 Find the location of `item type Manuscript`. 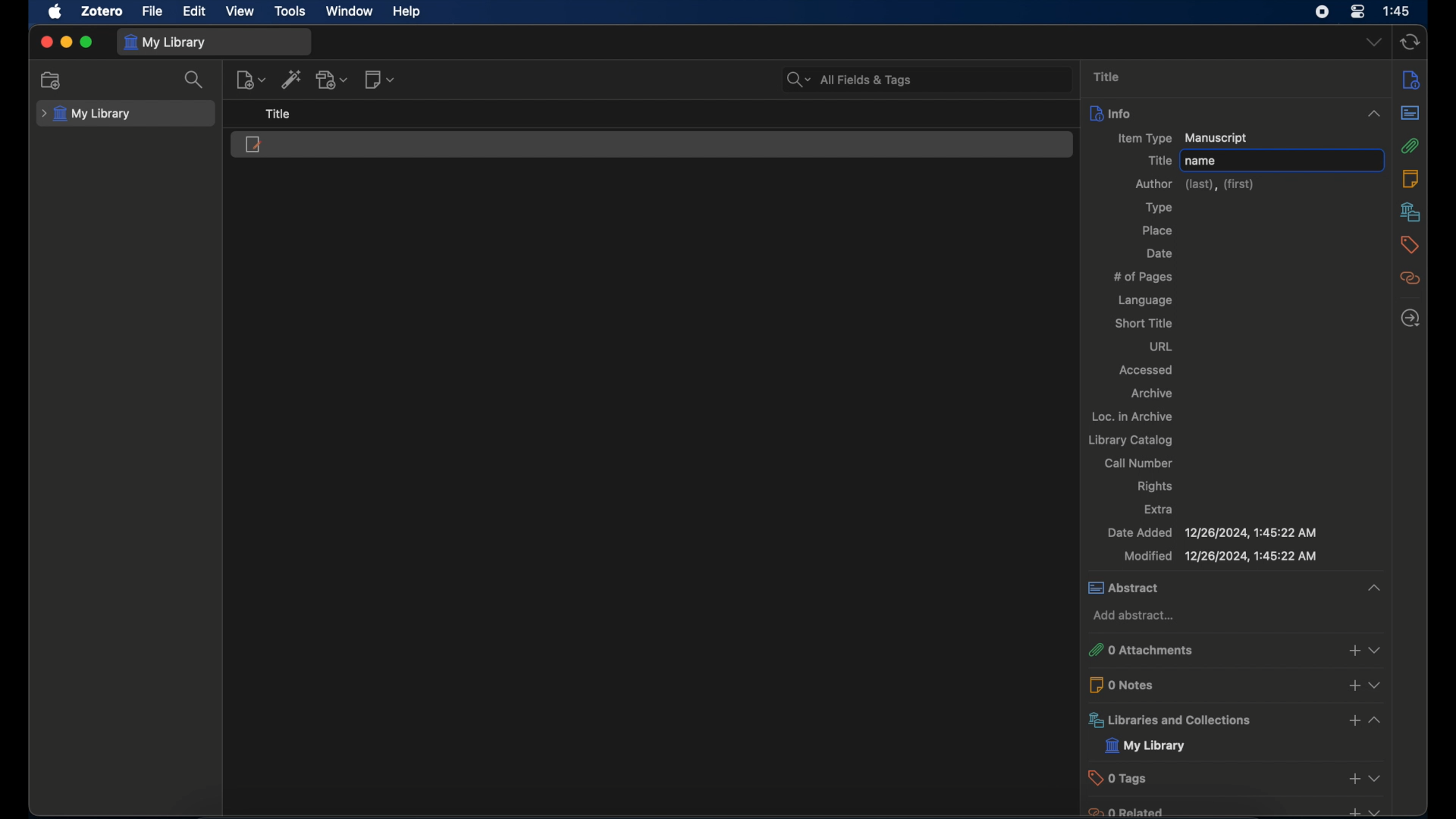

item type Manuscript is located at coordinates (1182, 139).